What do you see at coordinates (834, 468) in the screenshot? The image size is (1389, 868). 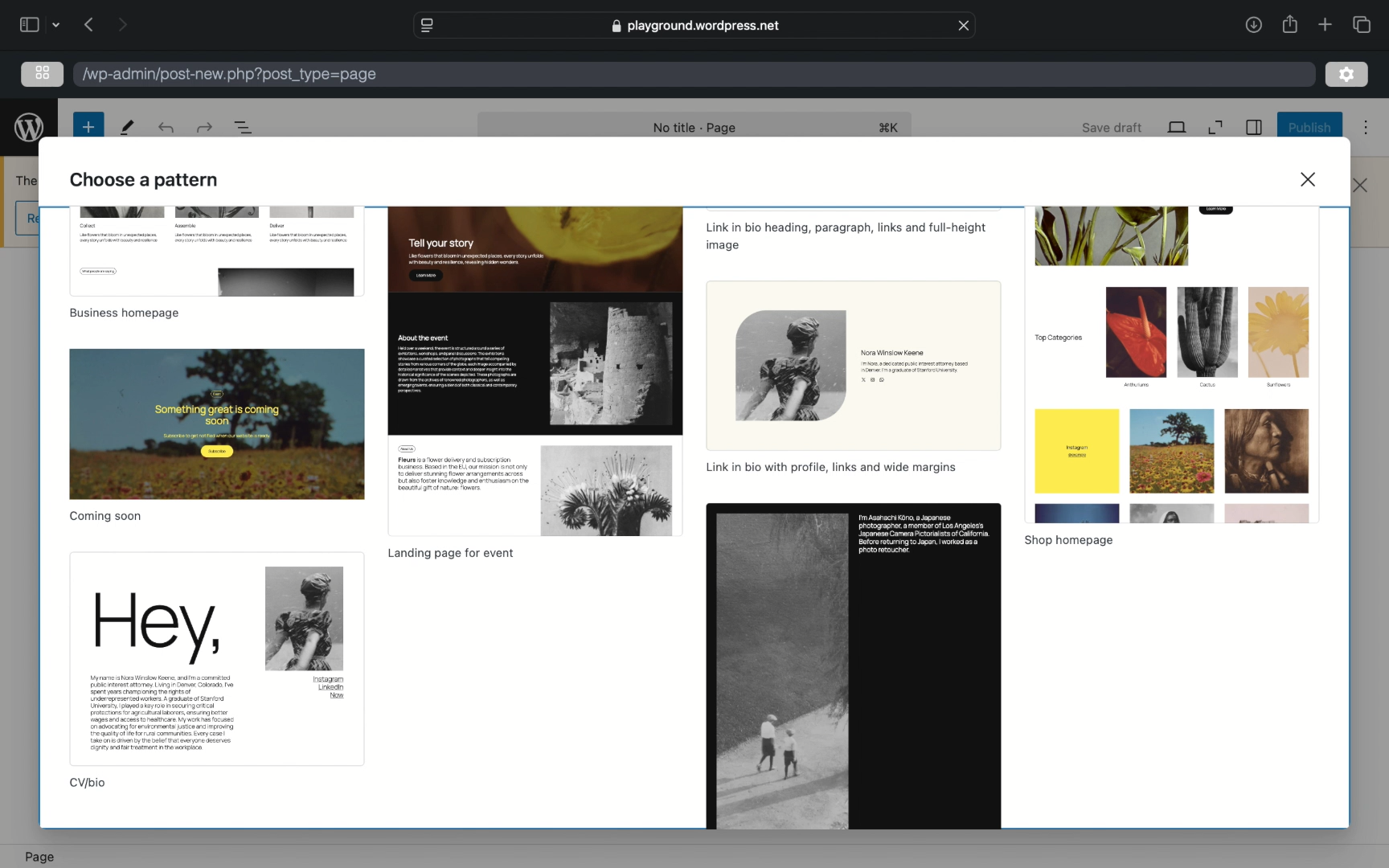 I see `link in bio` at bounding box center [834, 468].